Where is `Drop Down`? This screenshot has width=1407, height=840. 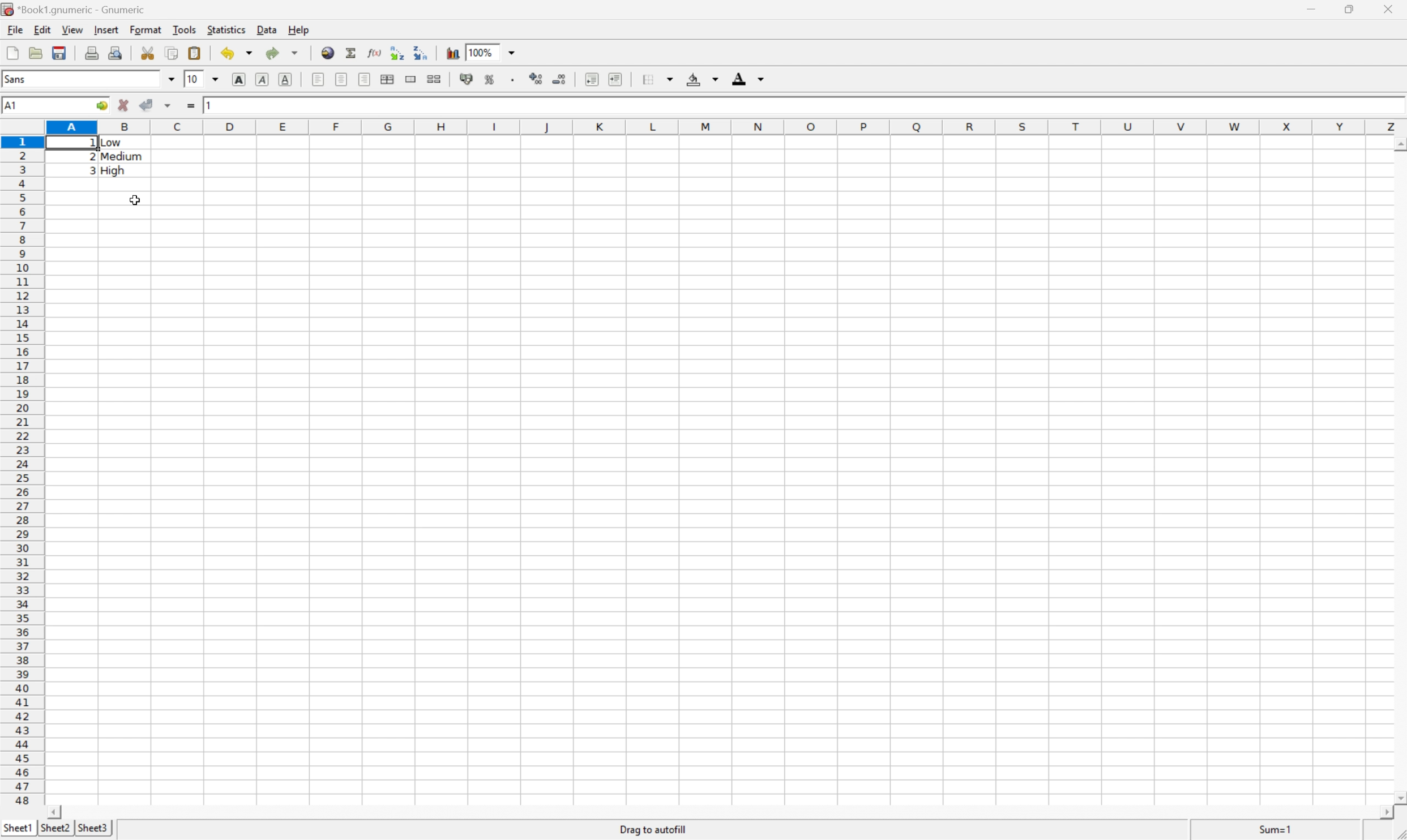
Drop Down is located at coordinates (513, 53).